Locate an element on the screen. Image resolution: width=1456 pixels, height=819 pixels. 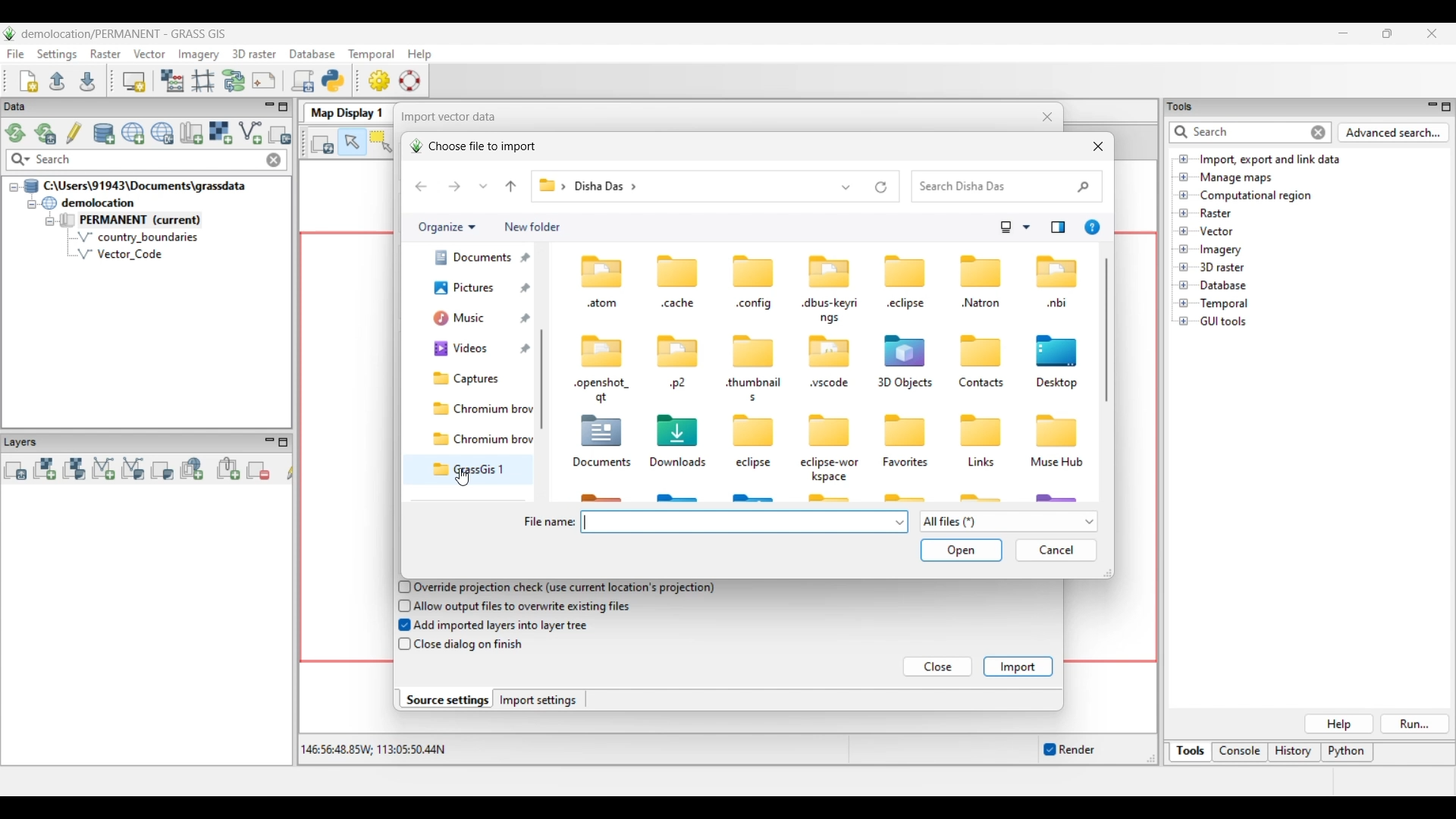
Create new project (location) to current GRASS database is located at coordinates (133, 133).